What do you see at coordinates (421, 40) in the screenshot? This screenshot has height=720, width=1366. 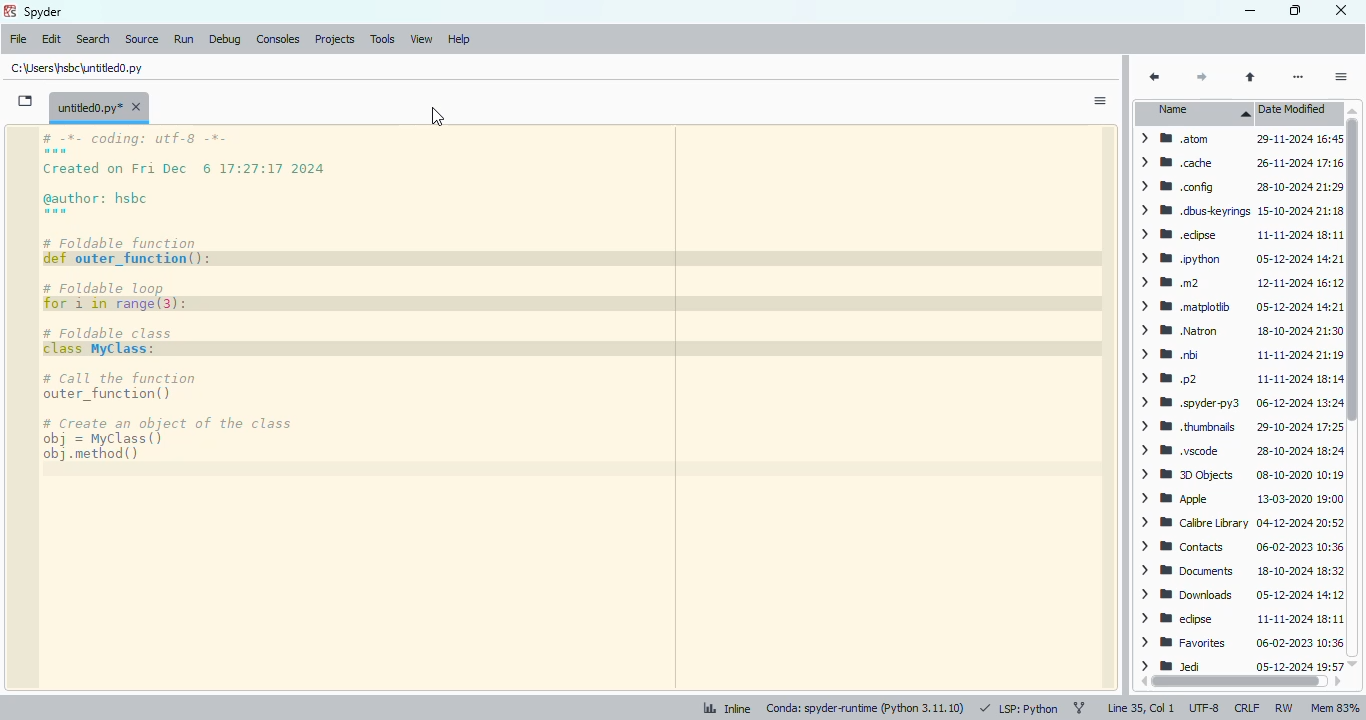 I see `view` at bounding box center [421, 40].